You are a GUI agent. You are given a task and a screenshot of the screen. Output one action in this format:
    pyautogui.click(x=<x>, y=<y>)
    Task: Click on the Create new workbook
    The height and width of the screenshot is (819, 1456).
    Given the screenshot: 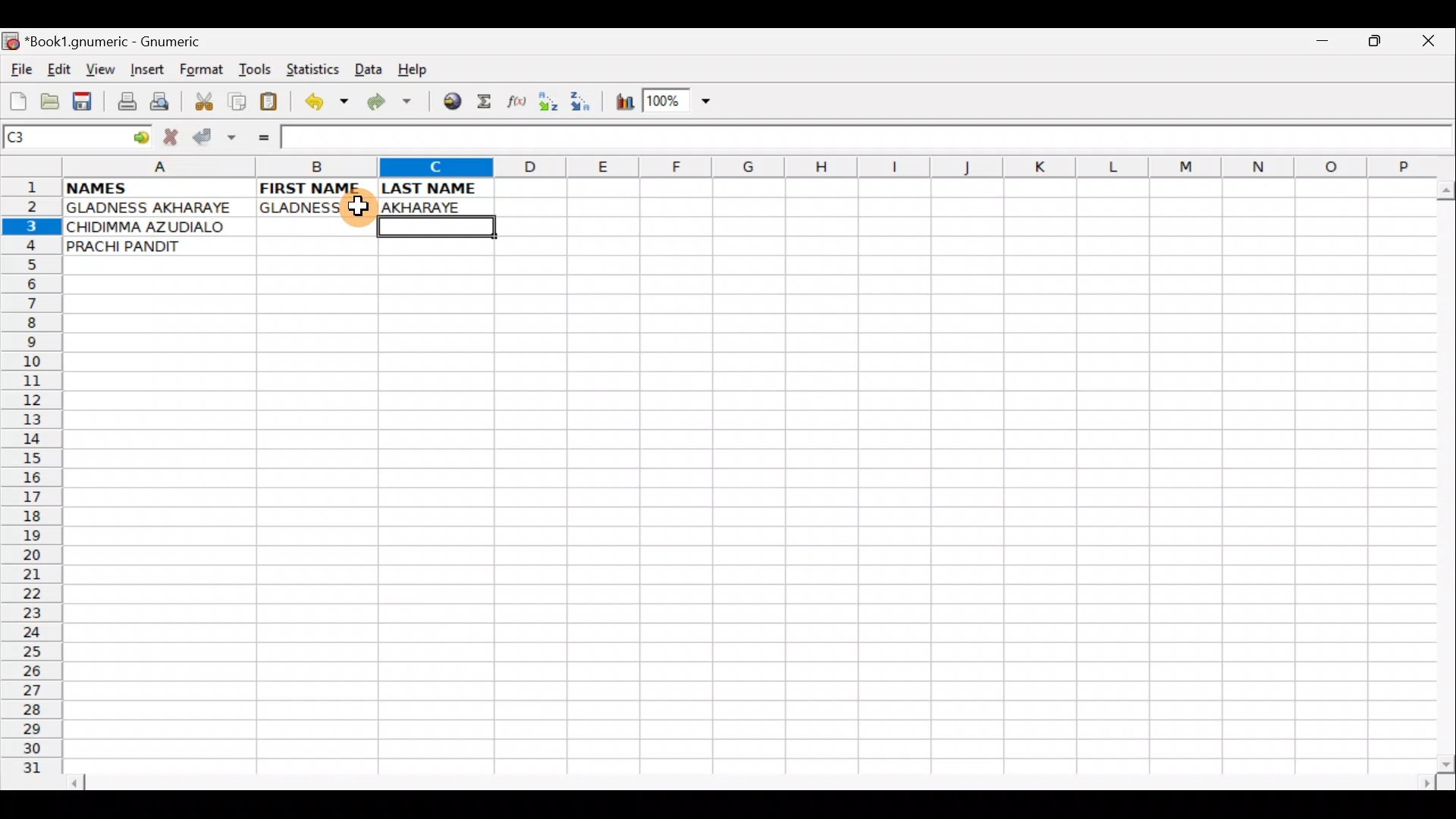 What is the action you would take?
    pyautogui.click(x=17, y=99)
    